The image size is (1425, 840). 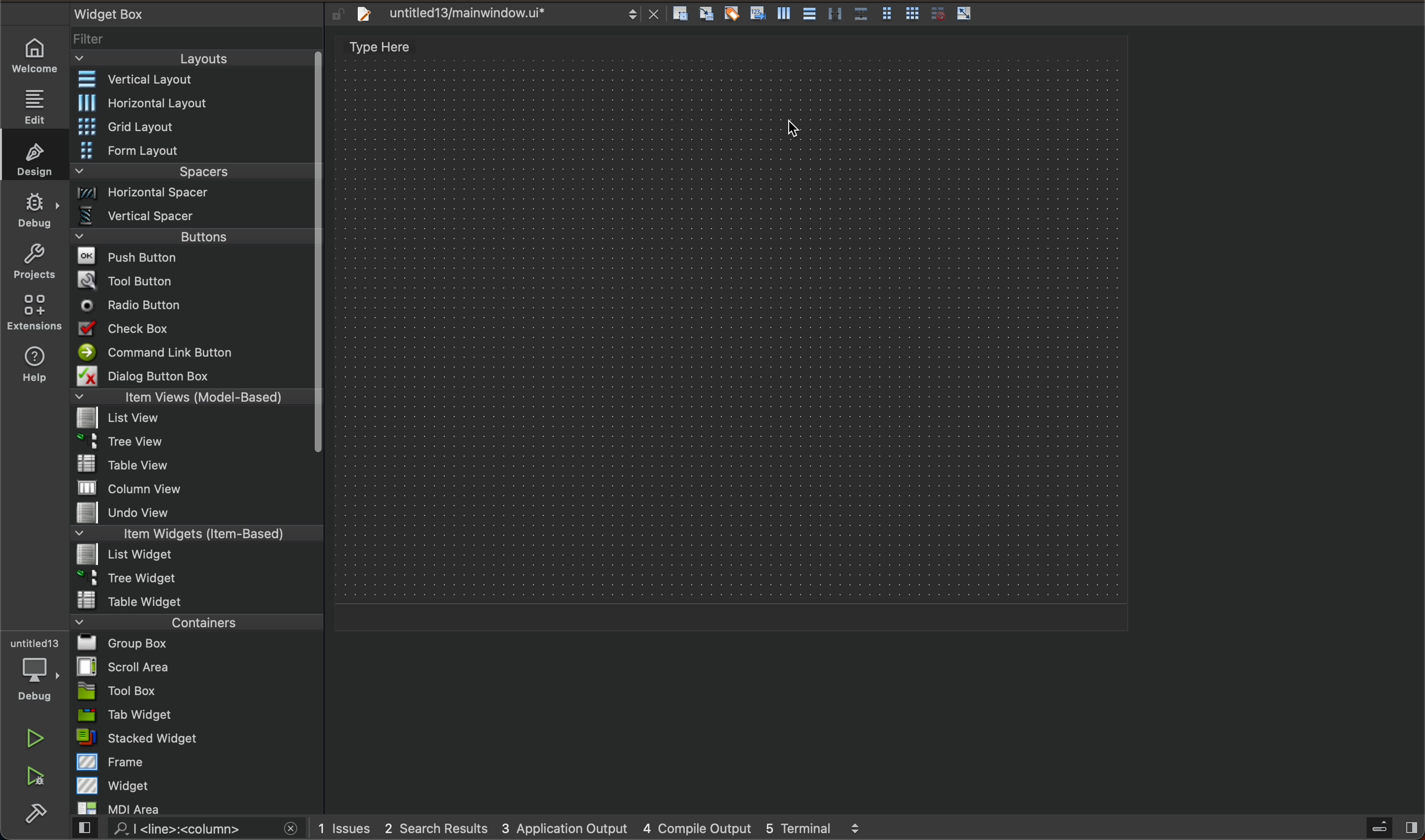 I want to click on group box, so click(x=199, y=644).